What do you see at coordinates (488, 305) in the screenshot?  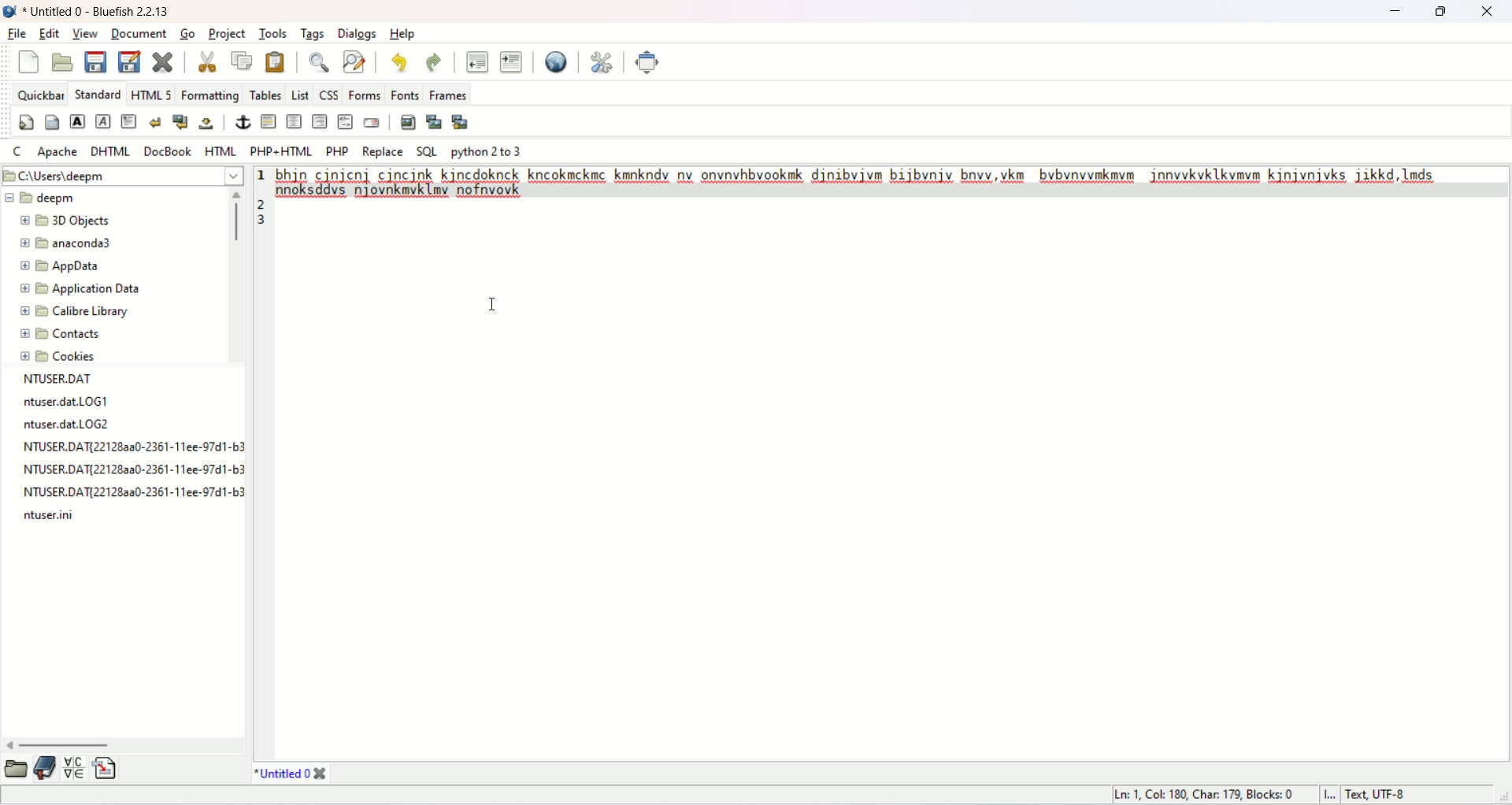 I see `Cursor` at bounding box center [488, 305].